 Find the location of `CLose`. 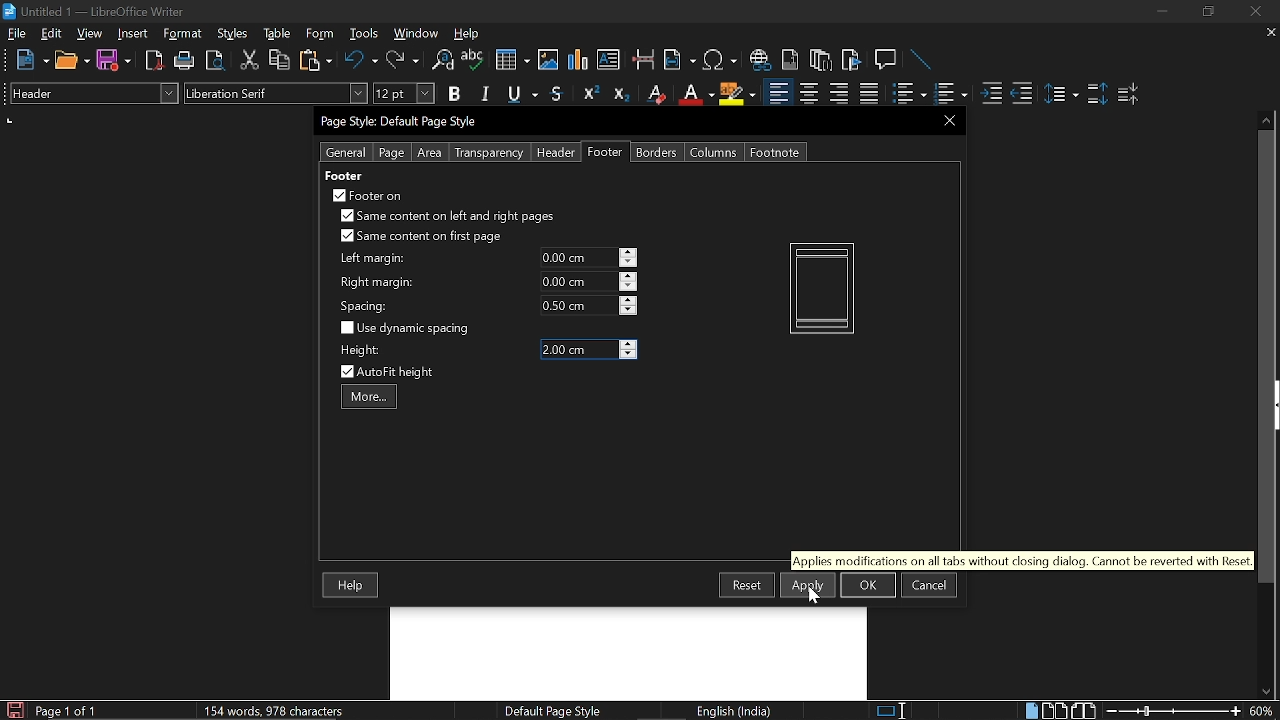

CLose is located at coordinates (947, 120).